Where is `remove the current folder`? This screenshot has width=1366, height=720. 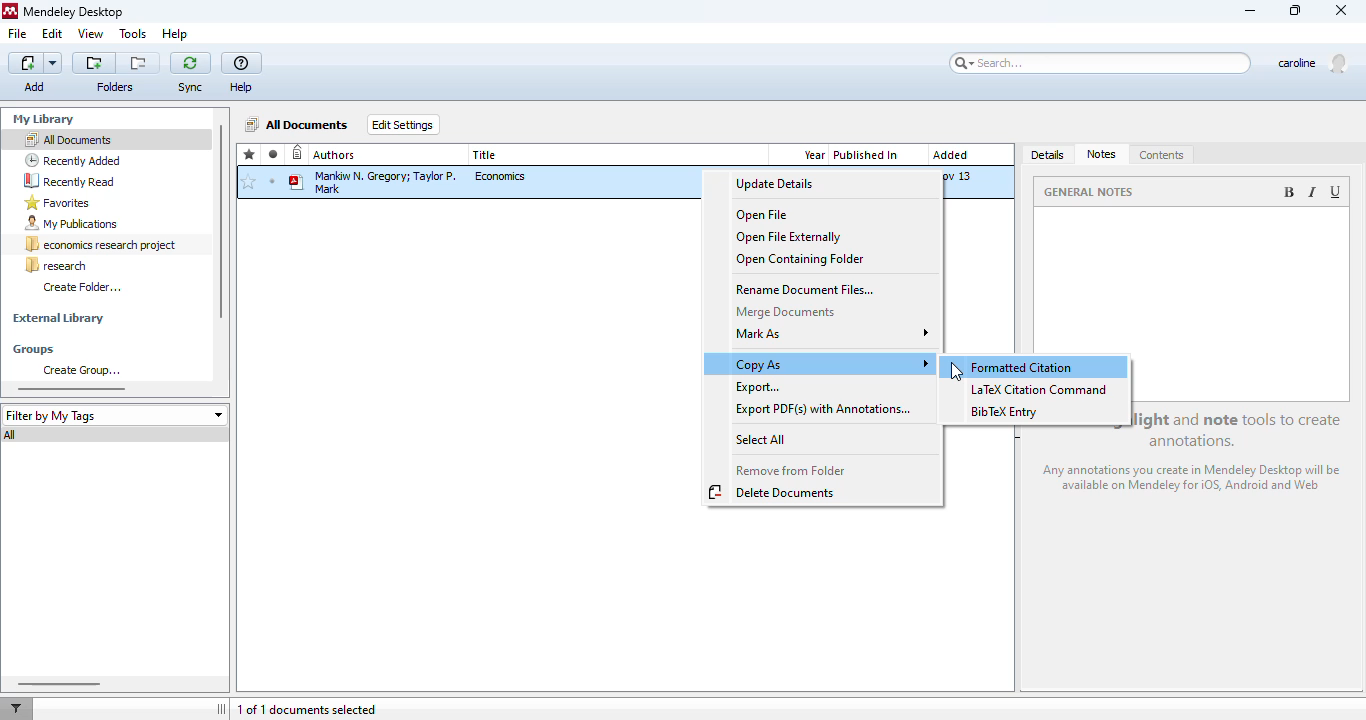 remove the current folder is located at coordinates (139, 63).